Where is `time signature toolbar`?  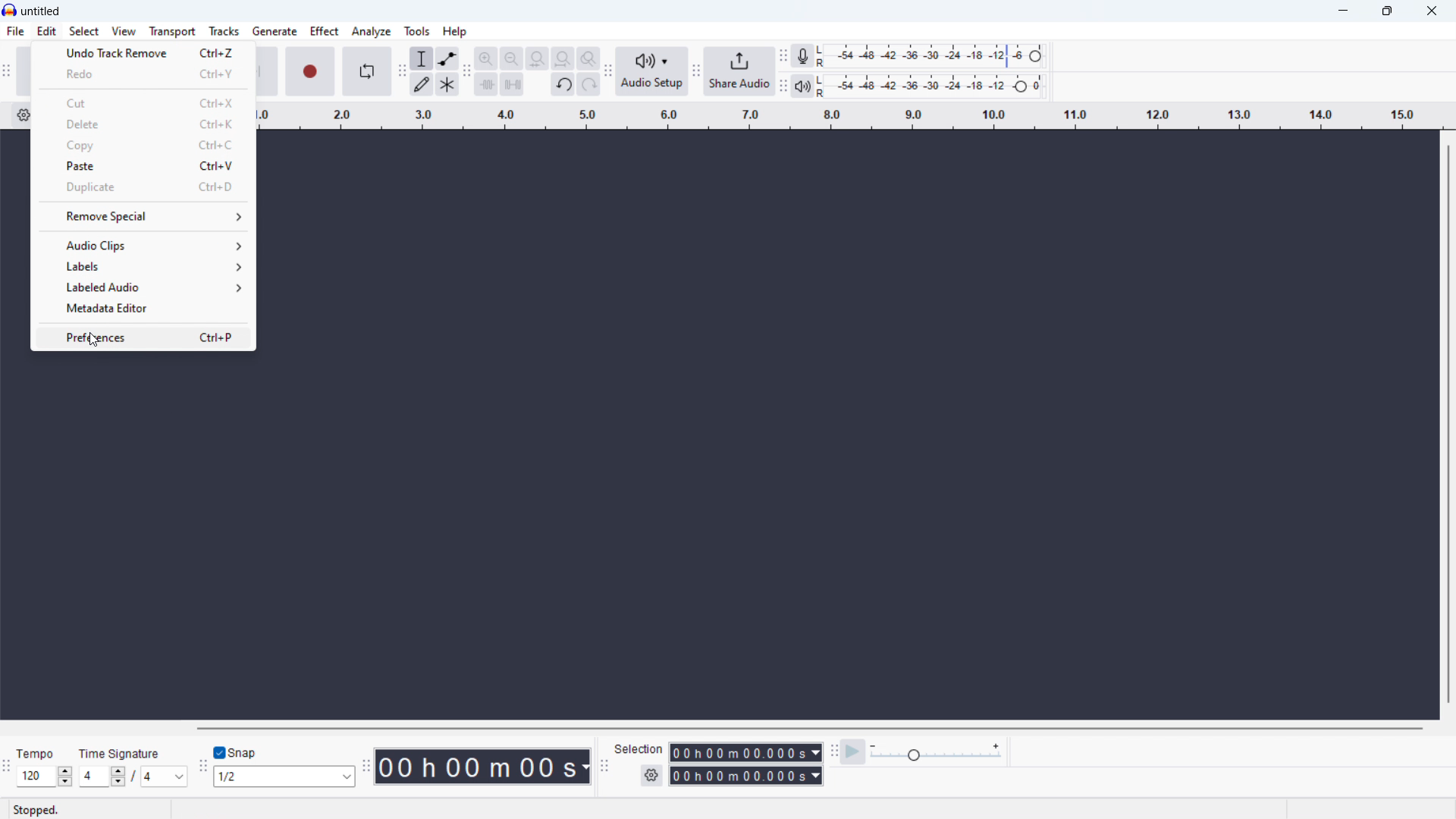
time signature toolbar is located at coordinates (8, 767).